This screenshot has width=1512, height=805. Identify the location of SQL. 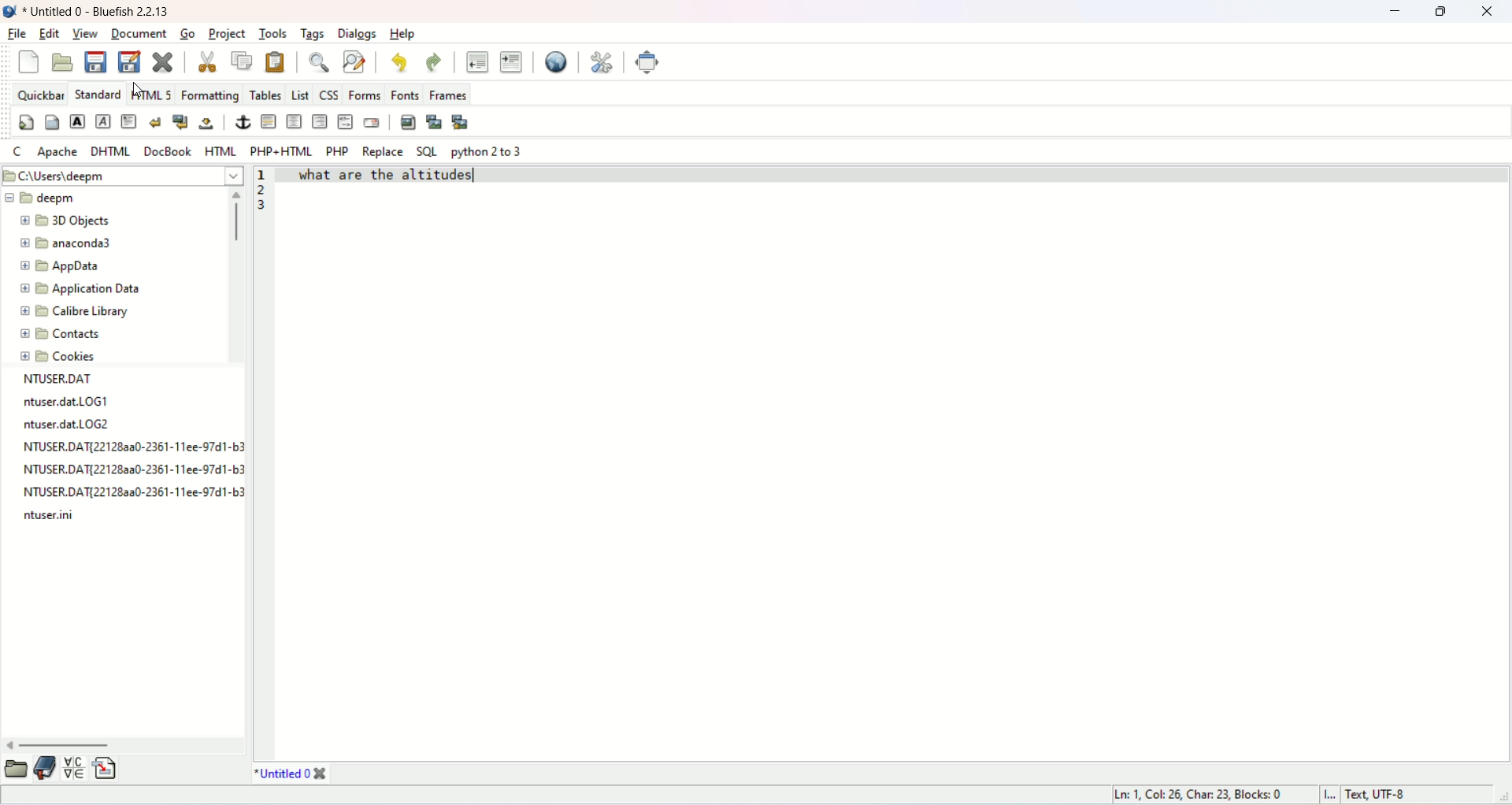
(427, 153).